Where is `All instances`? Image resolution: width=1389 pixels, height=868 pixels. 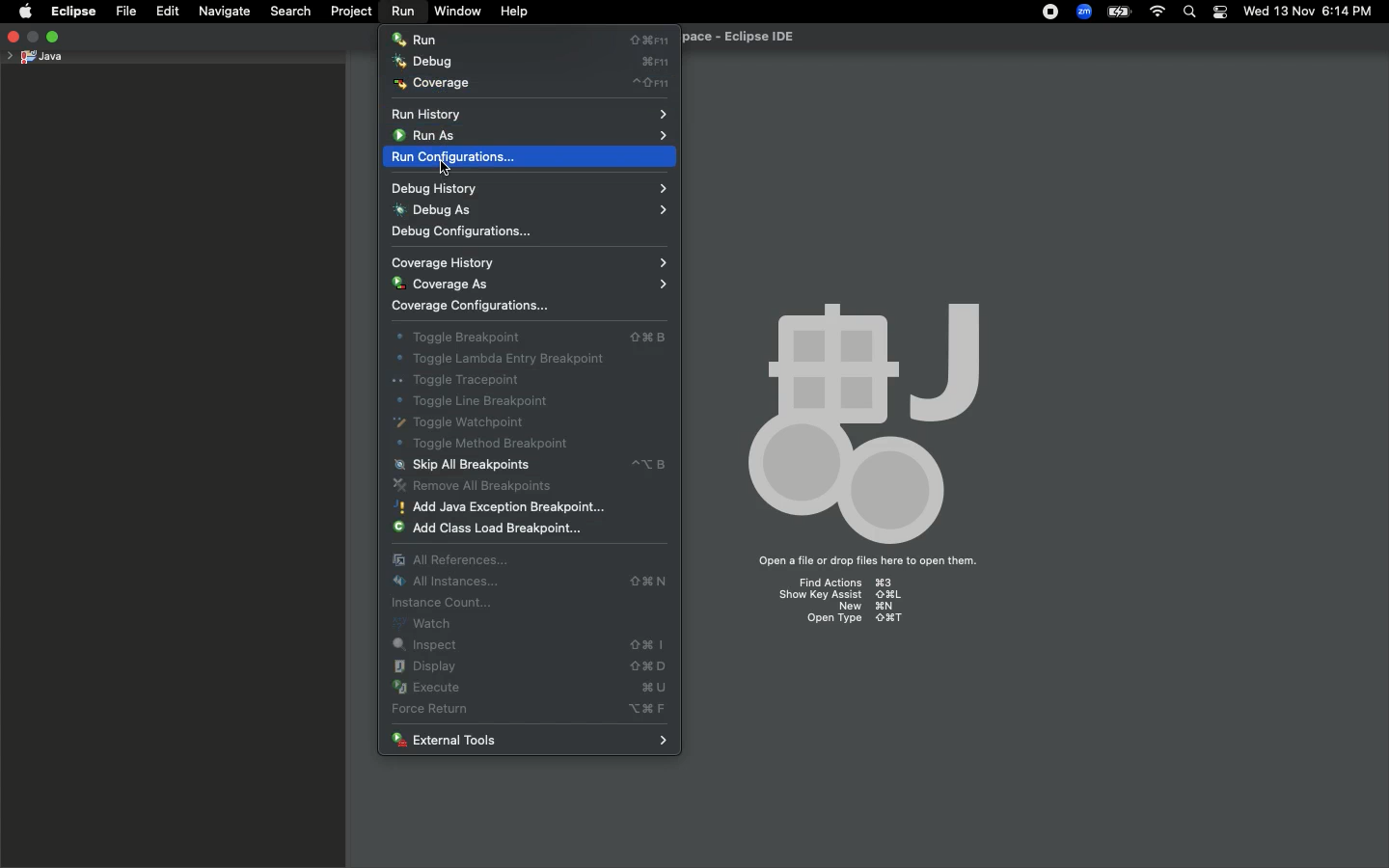
All instances is located at coordinates (530, 583).